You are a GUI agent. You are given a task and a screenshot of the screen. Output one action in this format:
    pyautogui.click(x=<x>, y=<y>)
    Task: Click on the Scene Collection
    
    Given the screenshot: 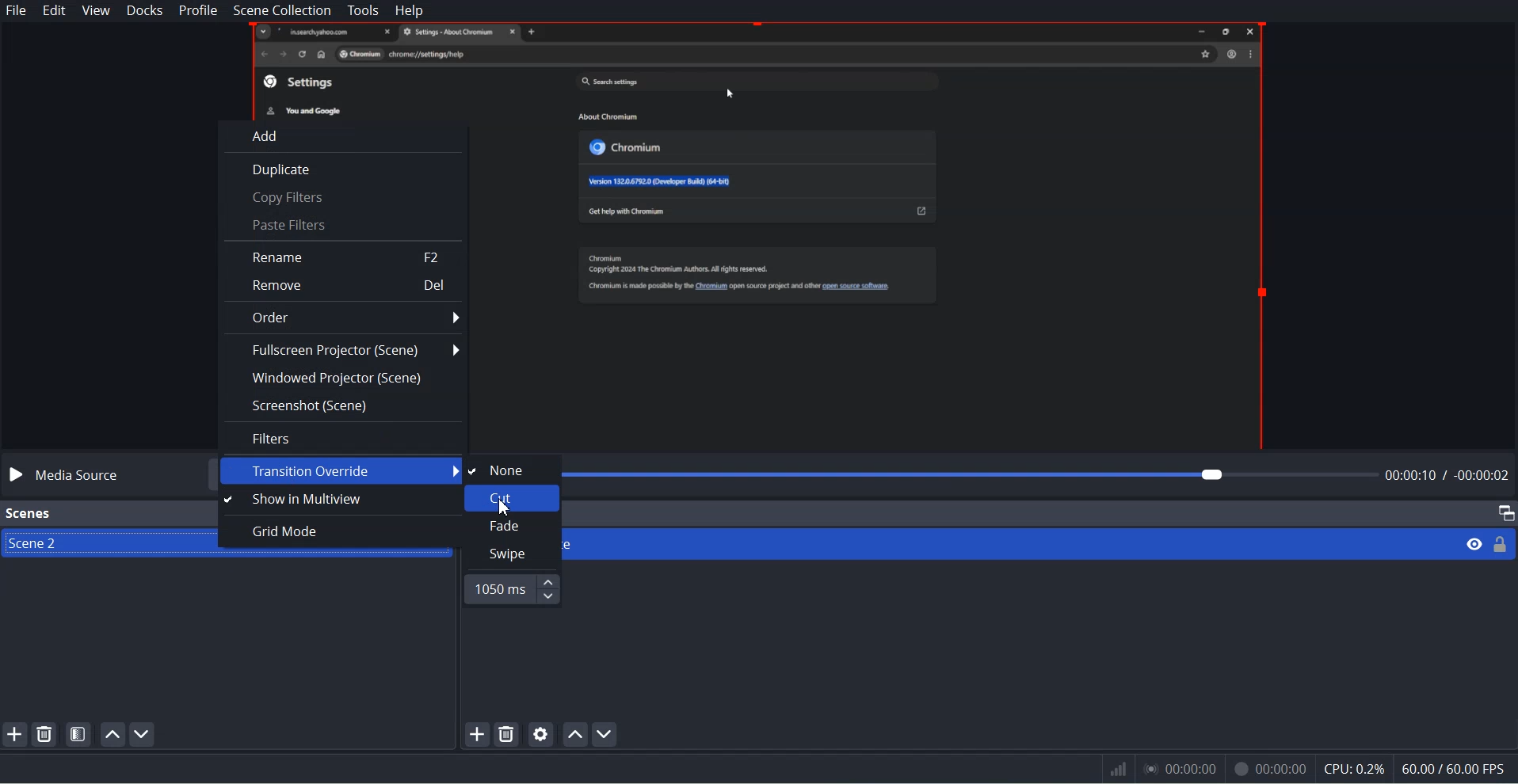 What is the action you would take?
    pyautogui.click(x=281, y=10)
    